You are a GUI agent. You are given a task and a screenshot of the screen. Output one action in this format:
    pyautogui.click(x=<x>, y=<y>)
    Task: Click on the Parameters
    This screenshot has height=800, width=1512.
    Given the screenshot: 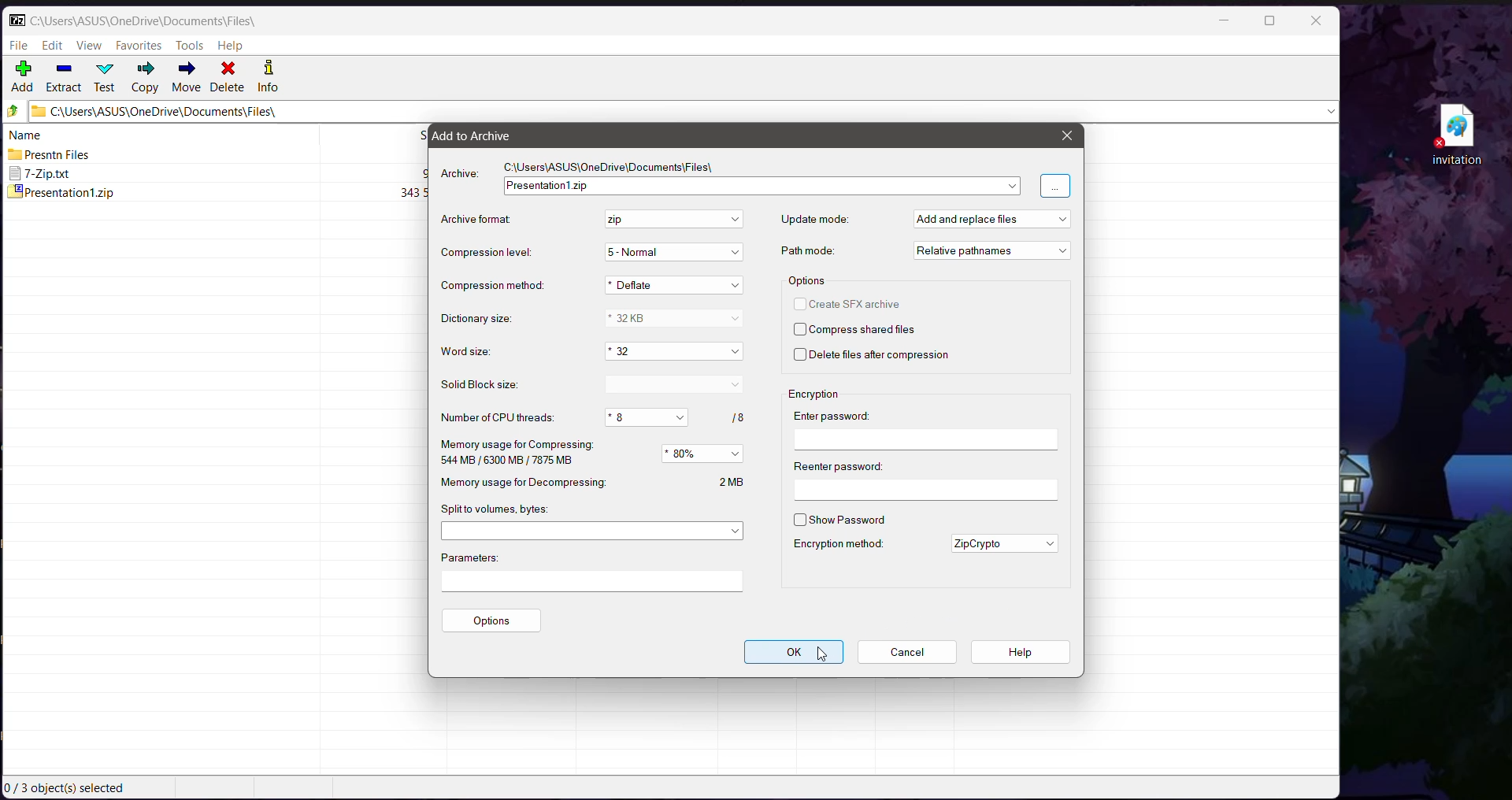 What is the action you would take?
    pyautogui.click(x=597, y=570)
    